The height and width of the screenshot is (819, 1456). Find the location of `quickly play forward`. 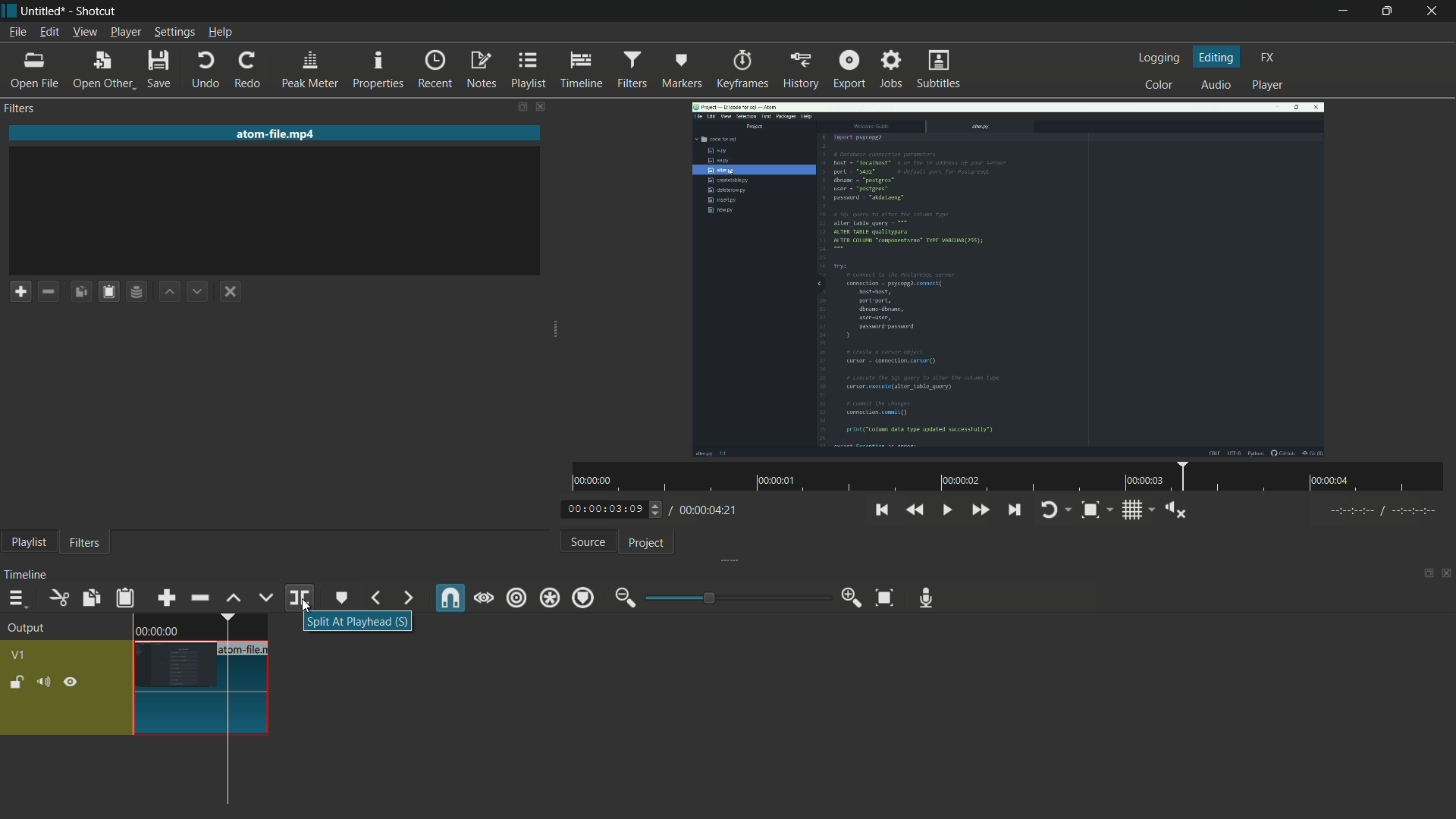

quickly play forward is located at coordinates (979, 510).